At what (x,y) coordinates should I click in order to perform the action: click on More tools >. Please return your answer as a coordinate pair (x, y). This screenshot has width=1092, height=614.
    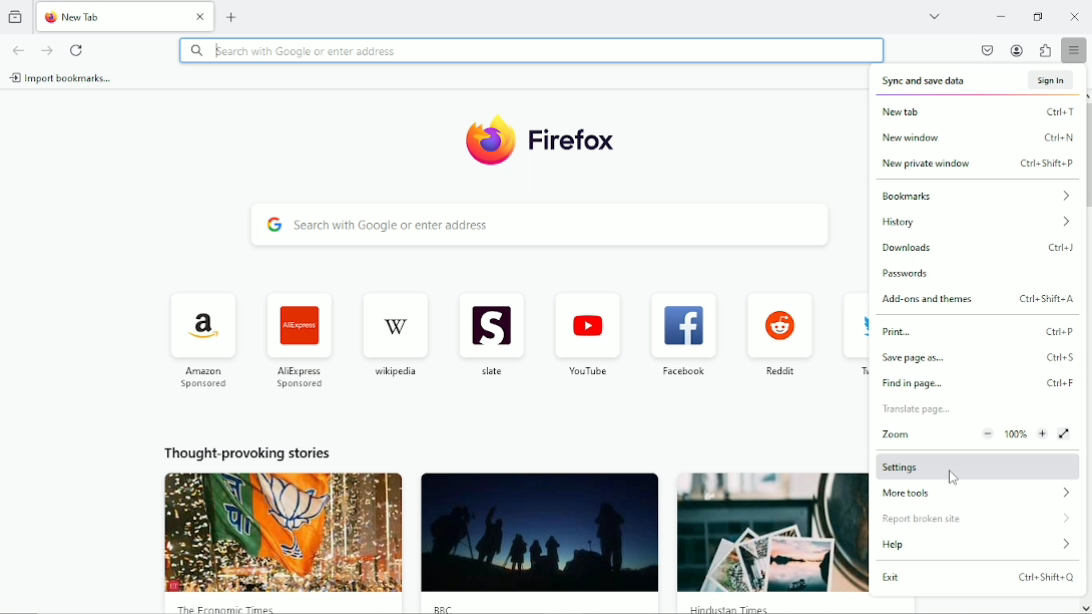
    Looking at the image, I should click on (980, 493).